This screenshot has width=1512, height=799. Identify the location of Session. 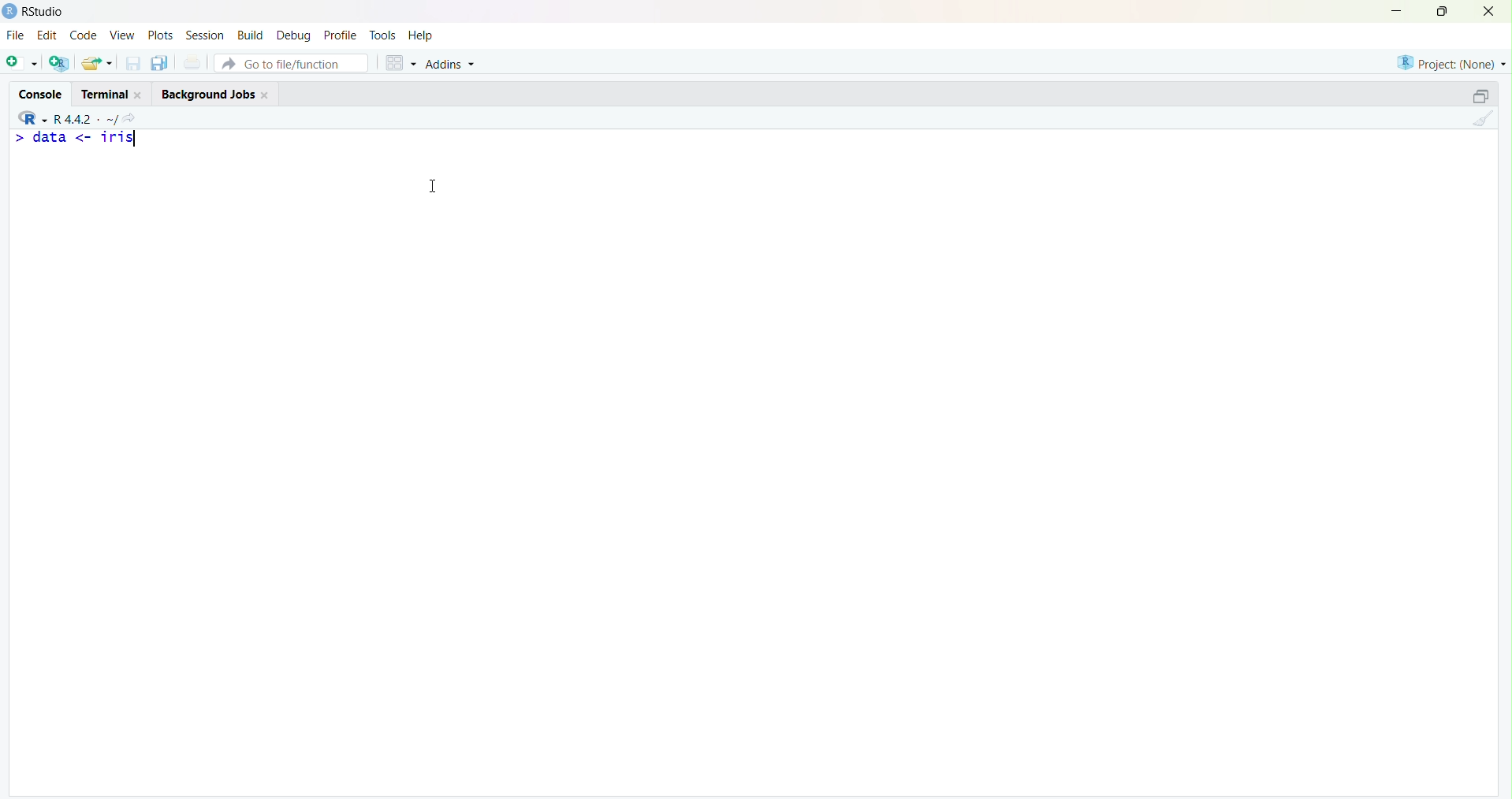
(205, 36).